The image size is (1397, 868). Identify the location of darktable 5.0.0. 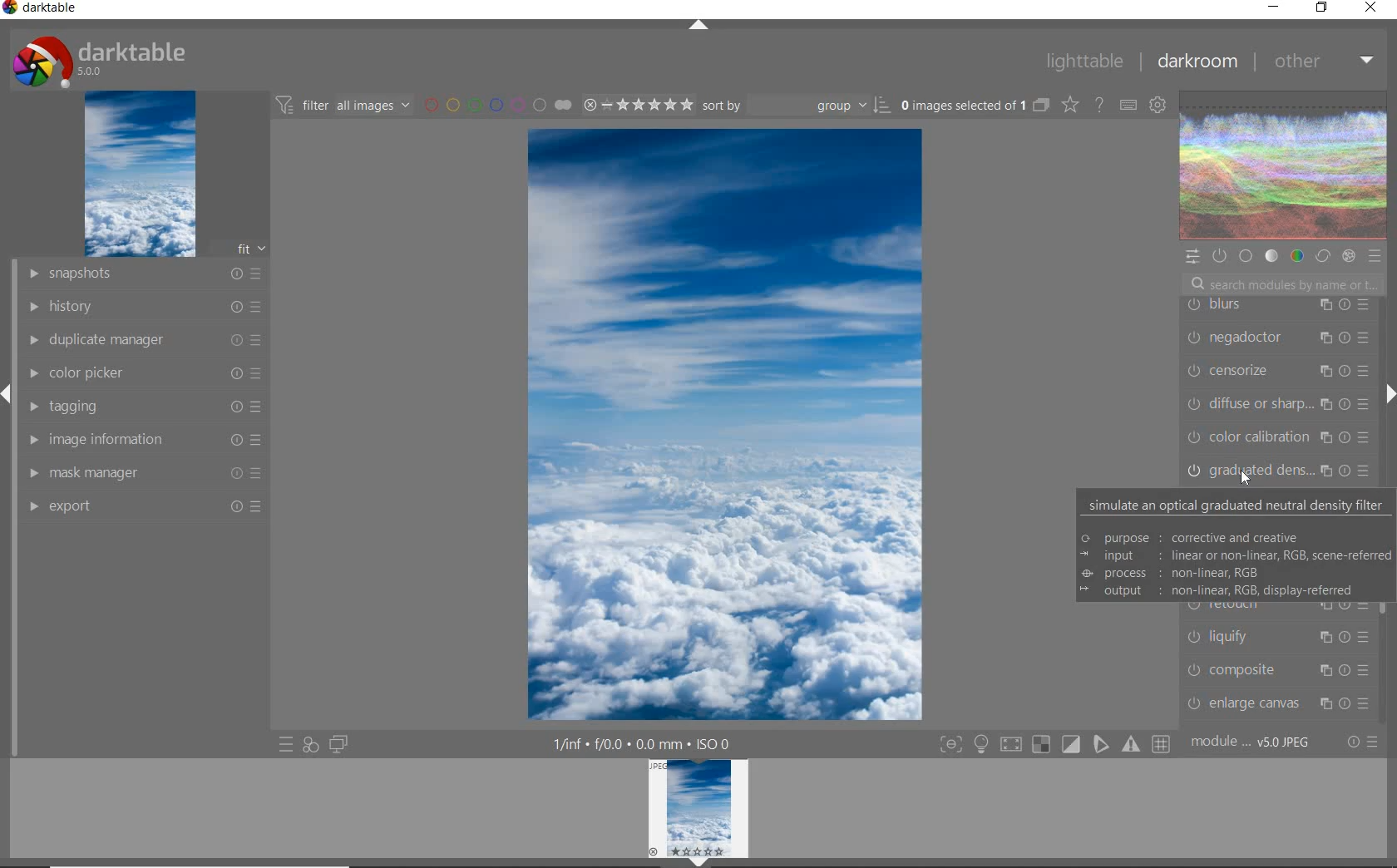
(96, 58).